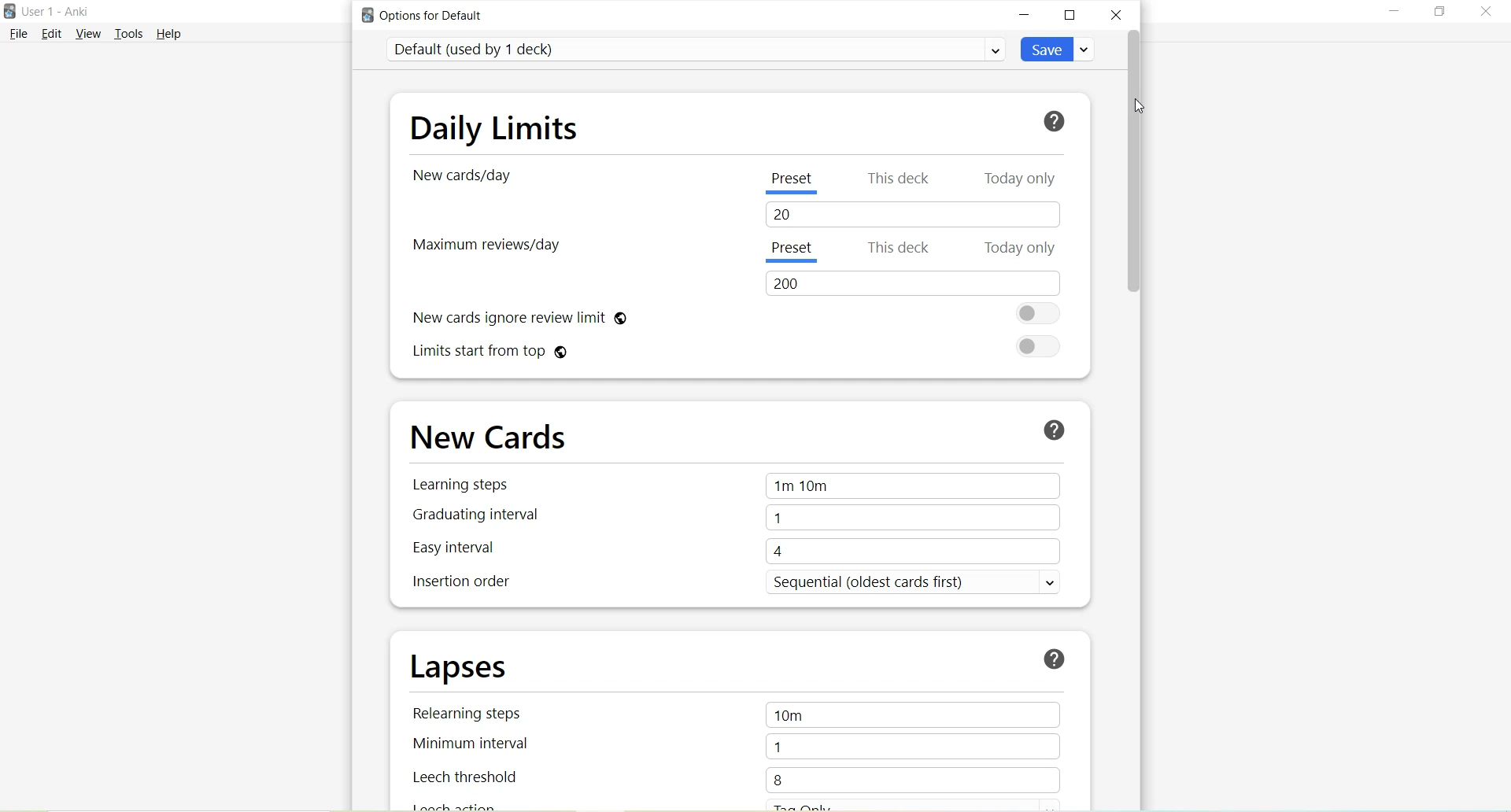 This screenshot has height=812, width=1511. What do you see at coordinates (1143, 552) in the screenshot?
I see `Scroll` at bounding box center [1143, 552].